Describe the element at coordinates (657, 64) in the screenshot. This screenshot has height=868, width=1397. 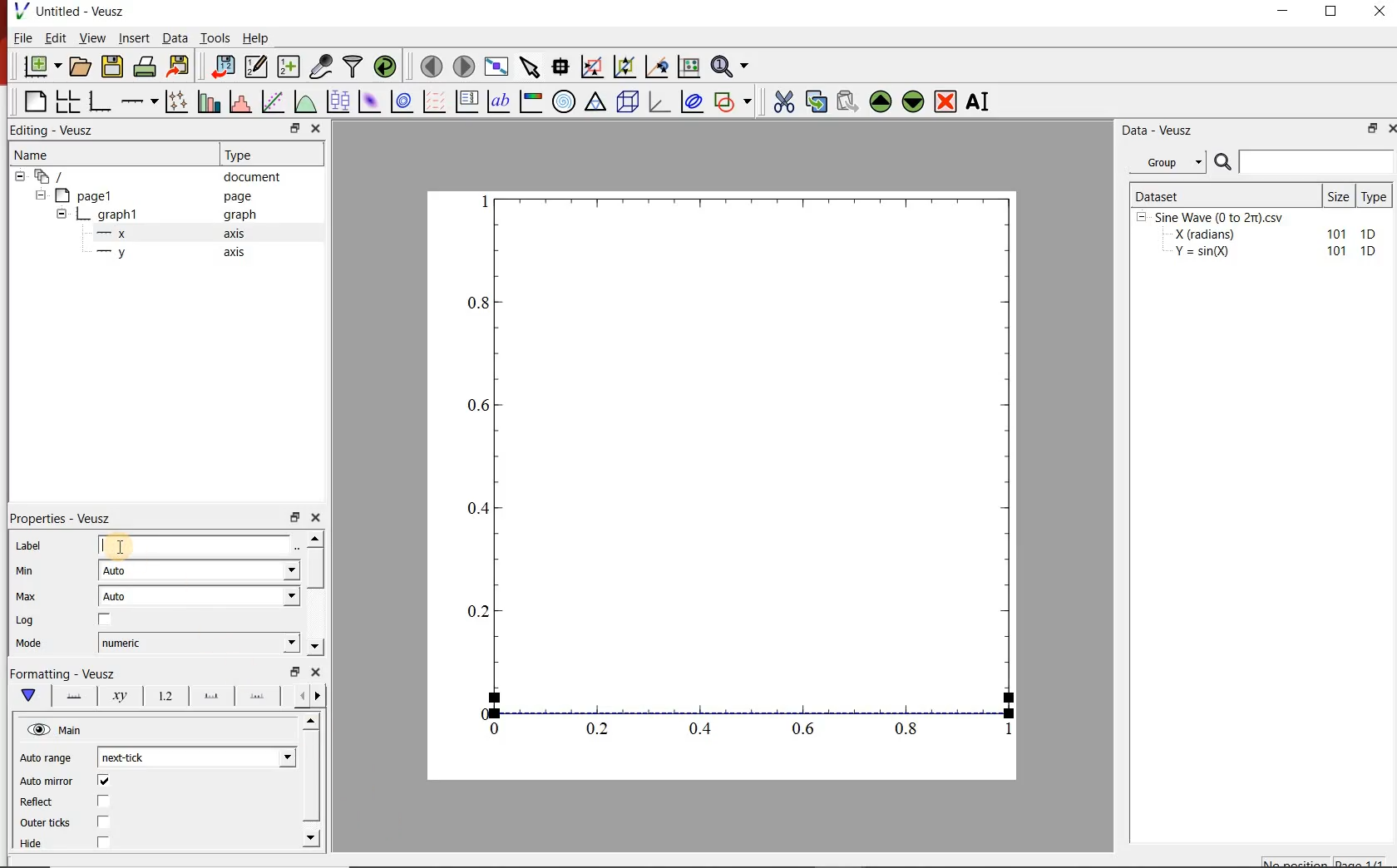
I see `click to recentre graph` at that location.